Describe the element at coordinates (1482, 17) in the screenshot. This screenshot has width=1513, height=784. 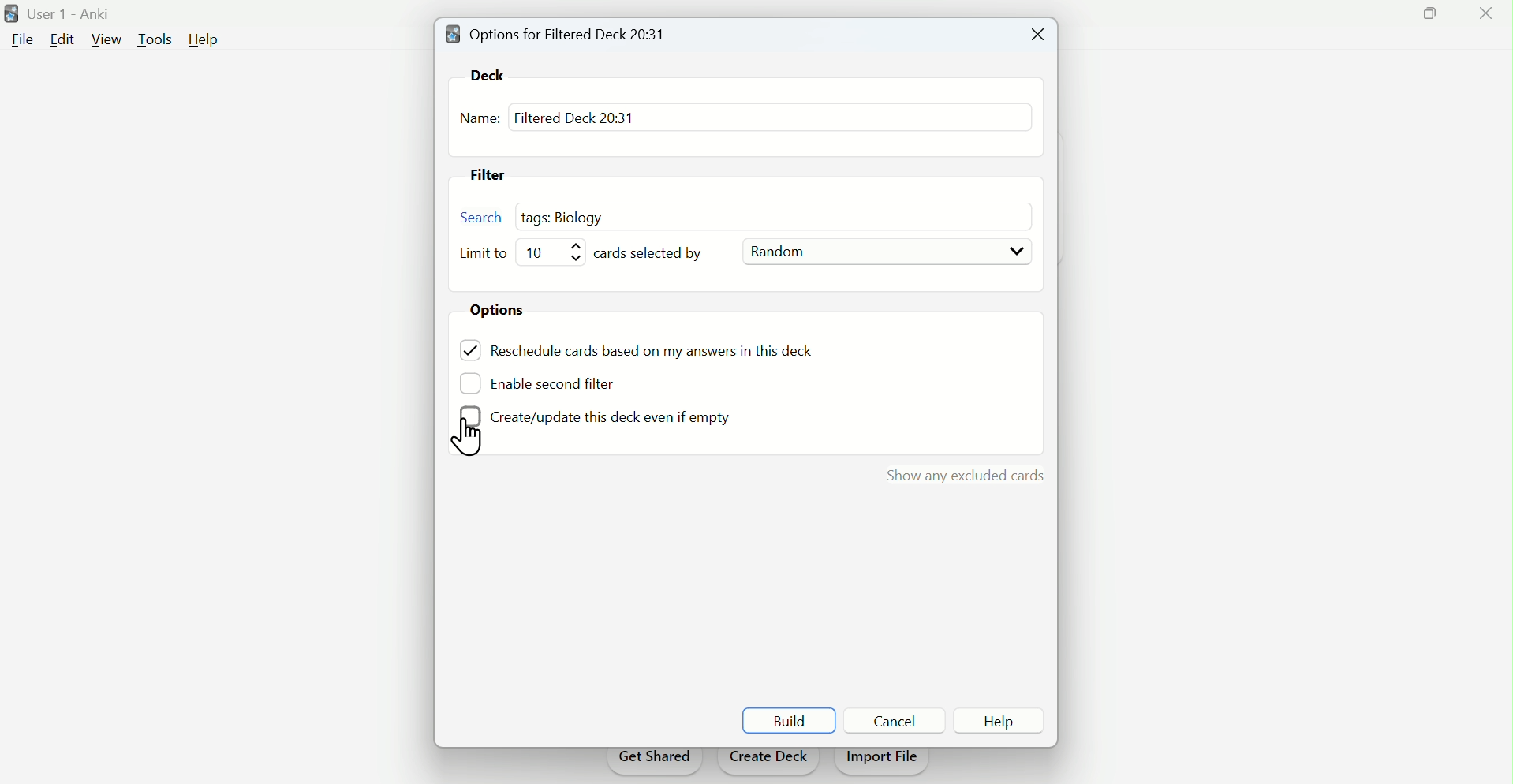
I see `Close` at that location.